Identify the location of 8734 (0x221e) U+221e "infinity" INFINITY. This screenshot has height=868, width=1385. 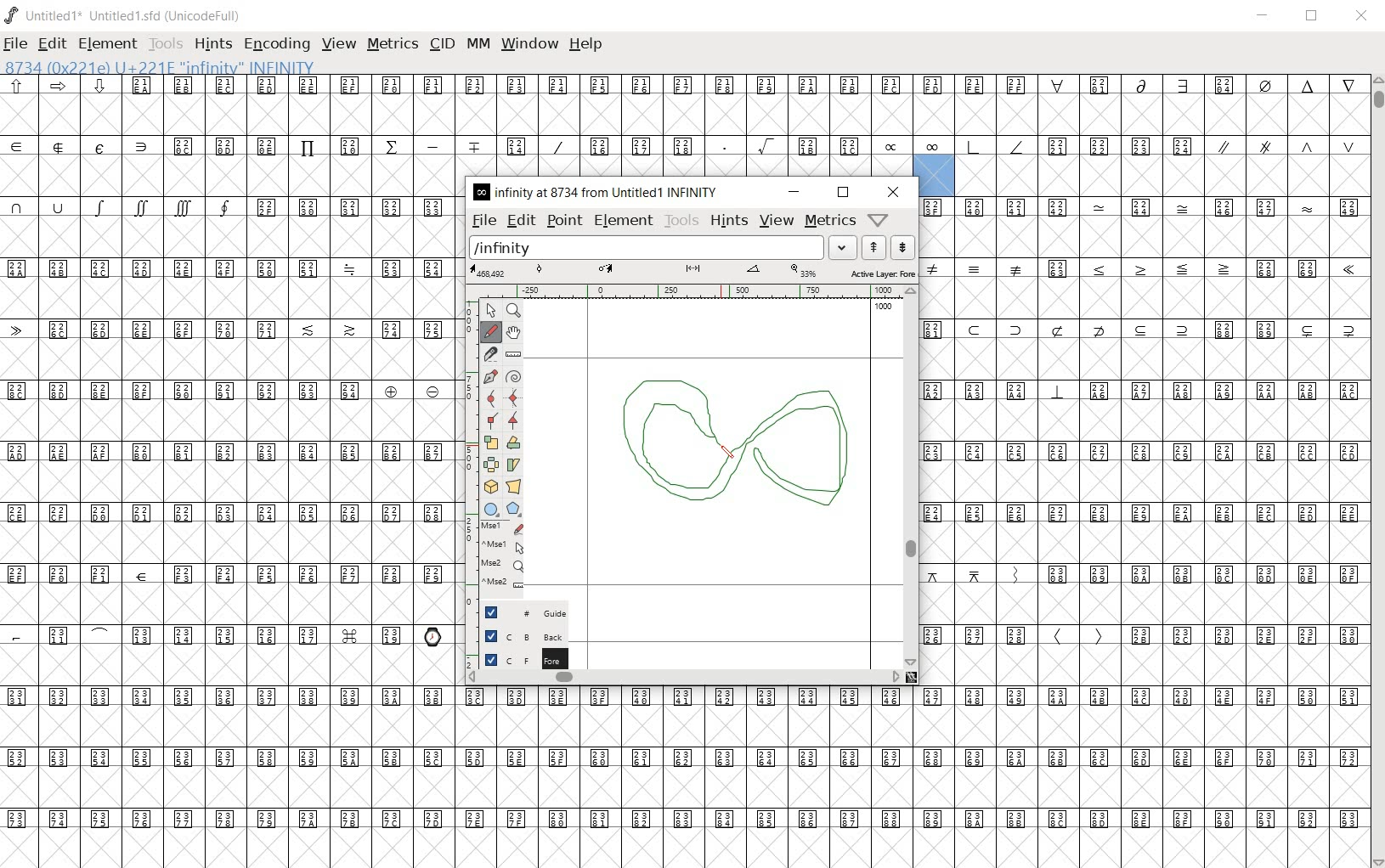
(161, 66).